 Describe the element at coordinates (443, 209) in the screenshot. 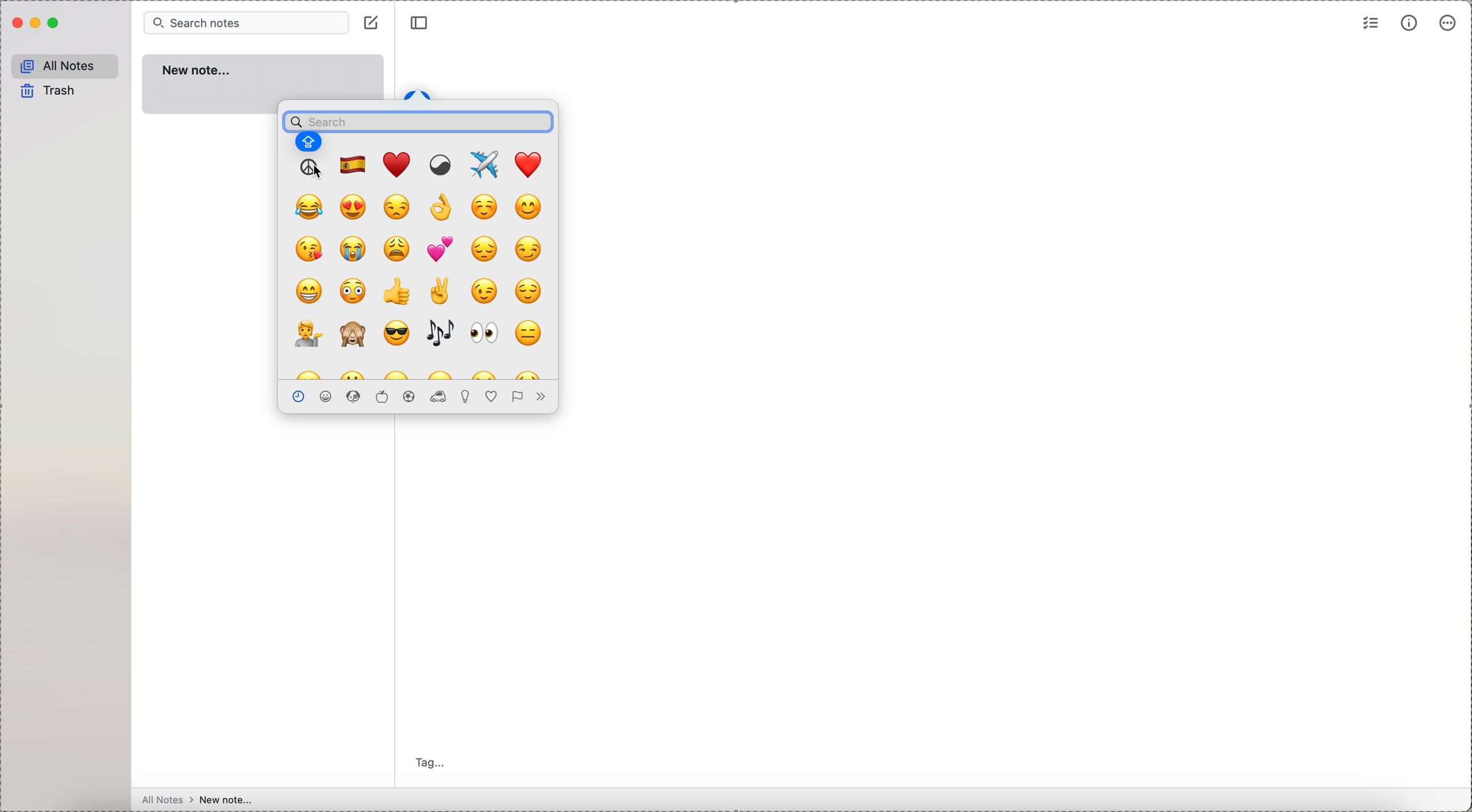

I see `emoji` at that location.